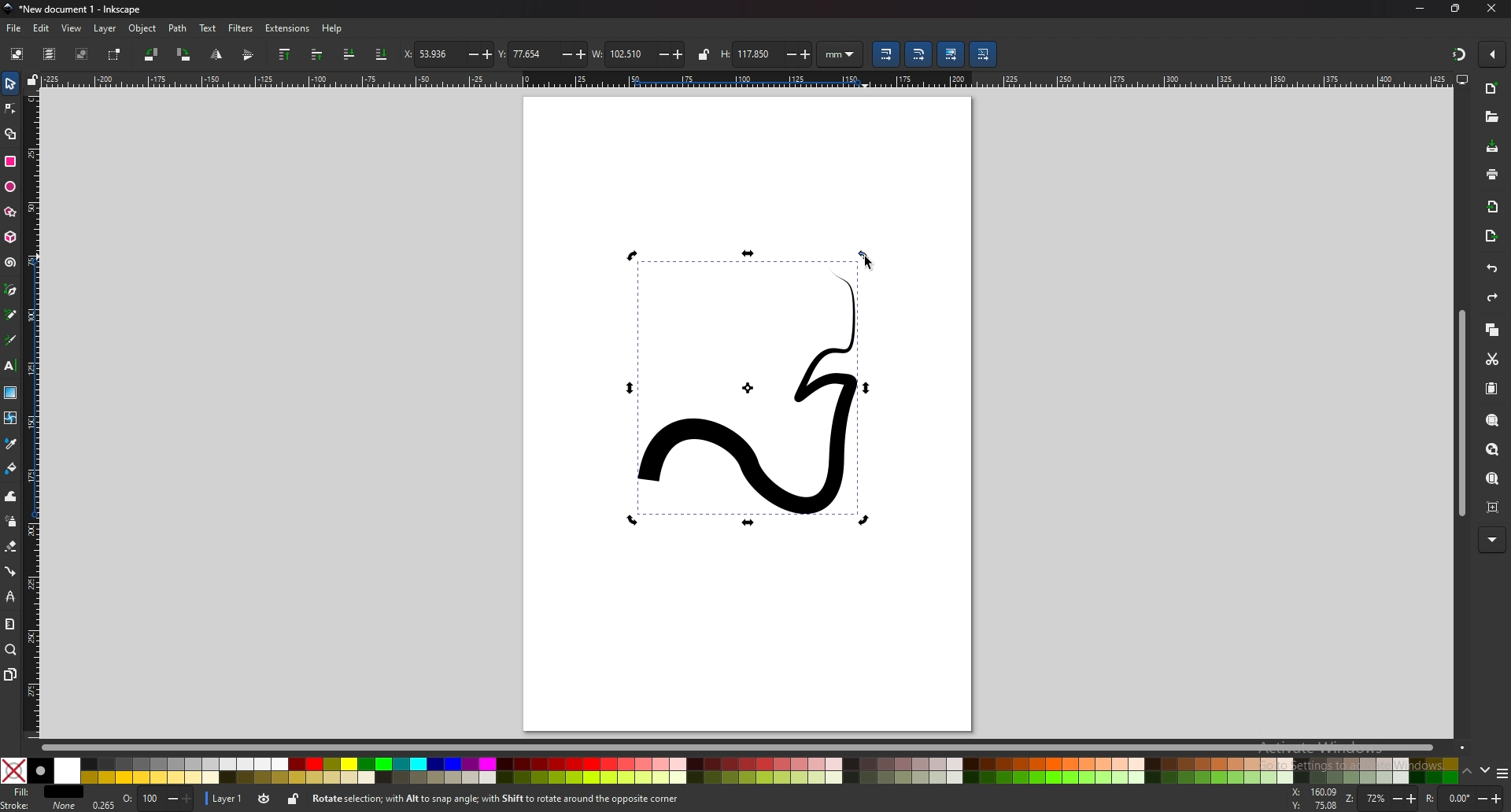  Describe the element at coordinates (150, 55) in the screenshot. I see `rotate 90 degree ccw` at that location.